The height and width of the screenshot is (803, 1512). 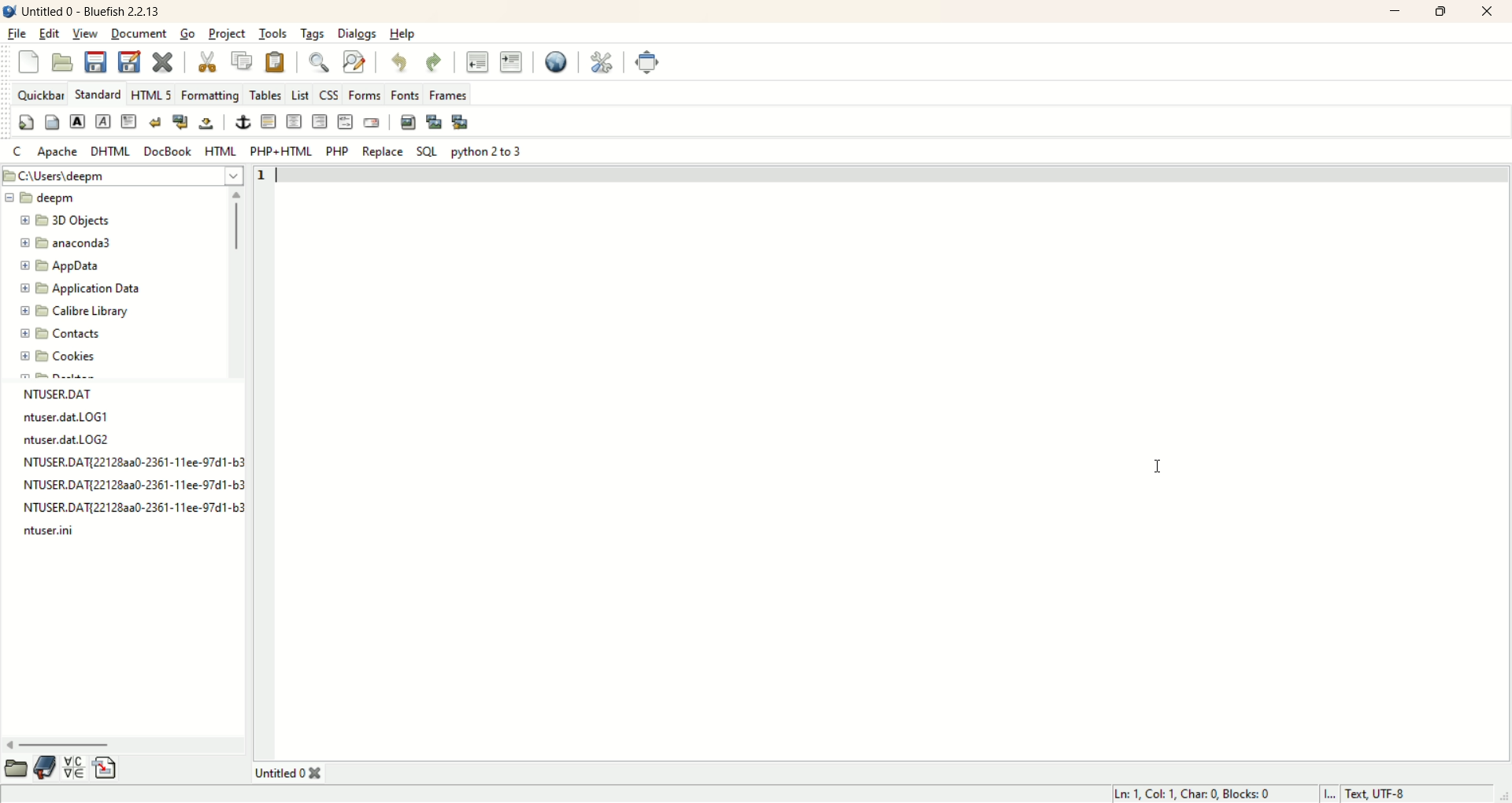 What do you see at coordinates (317, 775) in the screenshot?
I see `close` at bounding box center [317, 775].